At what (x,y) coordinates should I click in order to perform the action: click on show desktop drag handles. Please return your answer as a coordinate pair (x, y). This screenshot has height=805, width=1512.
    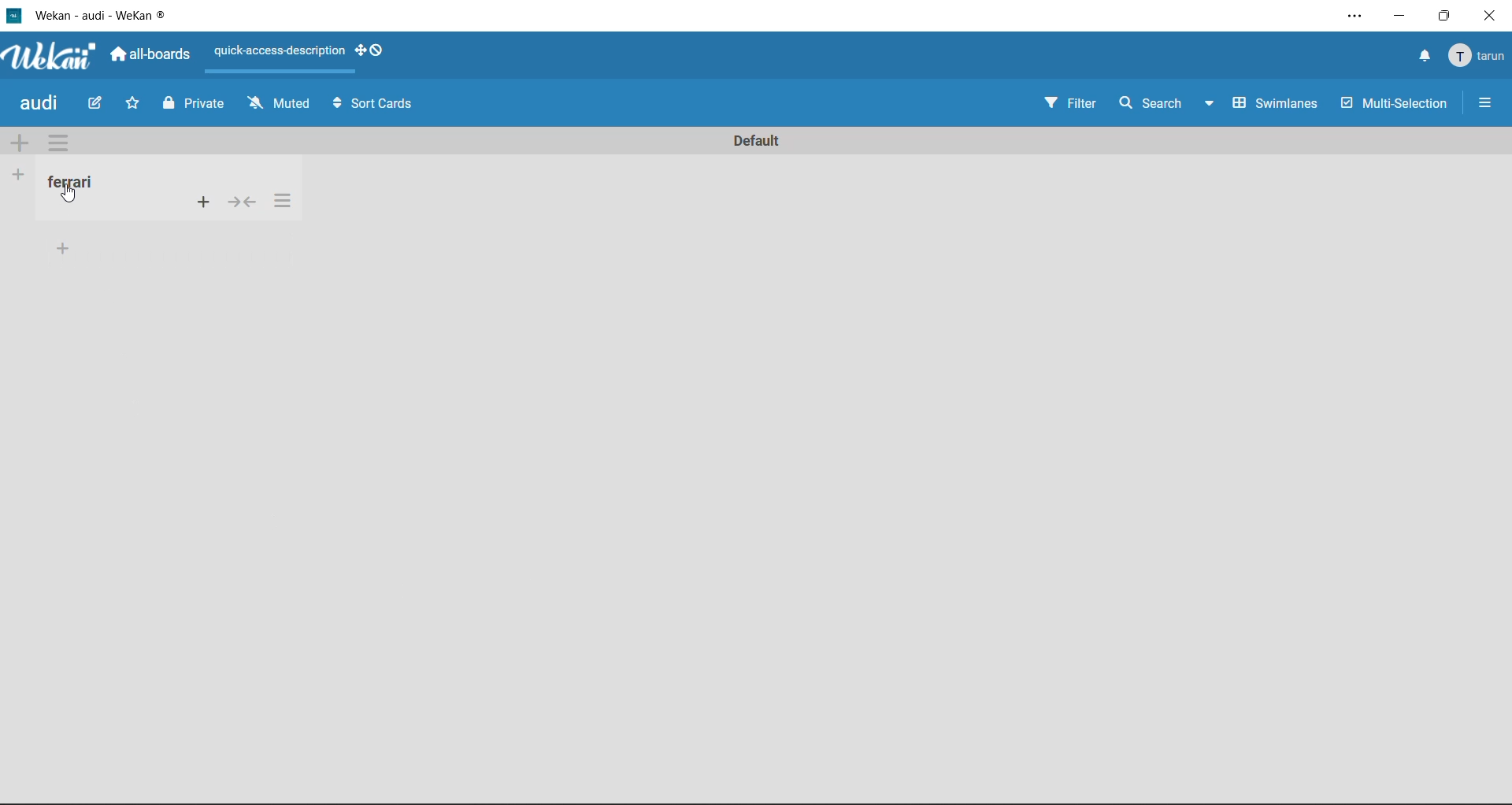
    Looking at the image, I should click on (373, 54).